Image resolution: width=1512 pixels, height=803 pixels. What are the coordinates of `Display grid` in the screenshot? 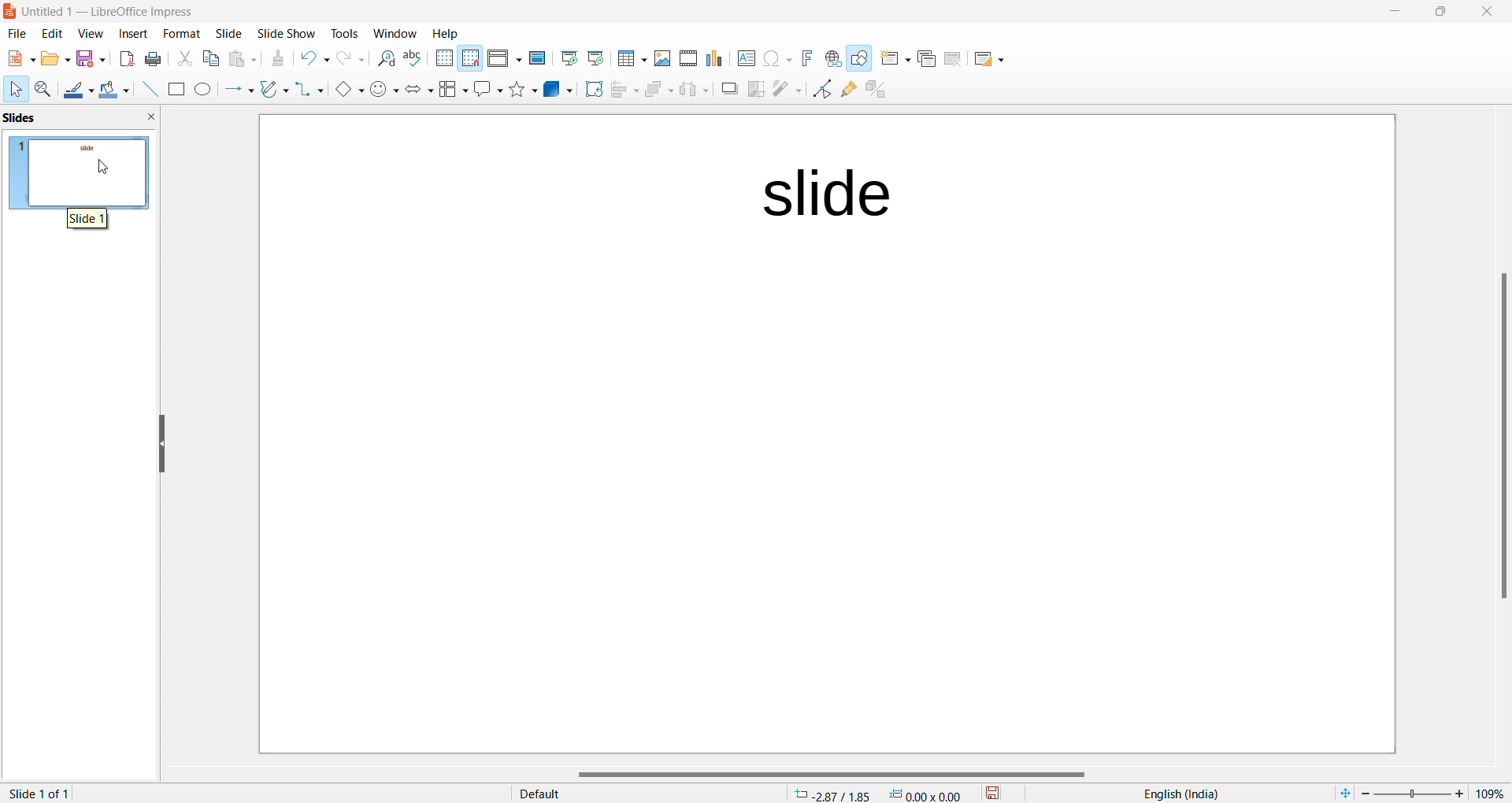 It's located at (443, 58).